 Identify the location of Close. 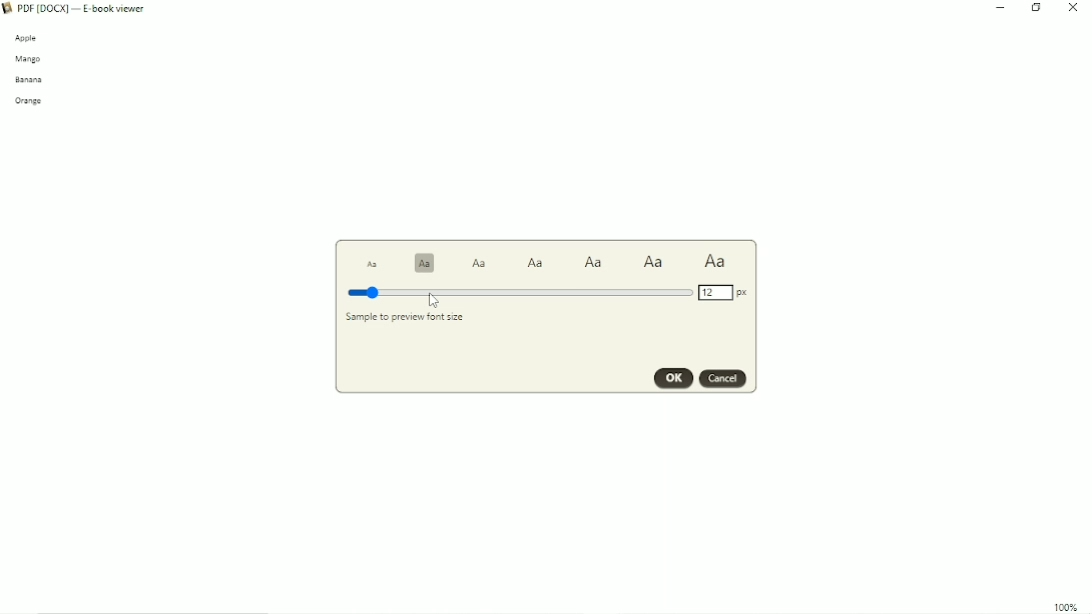
(1074, 9).